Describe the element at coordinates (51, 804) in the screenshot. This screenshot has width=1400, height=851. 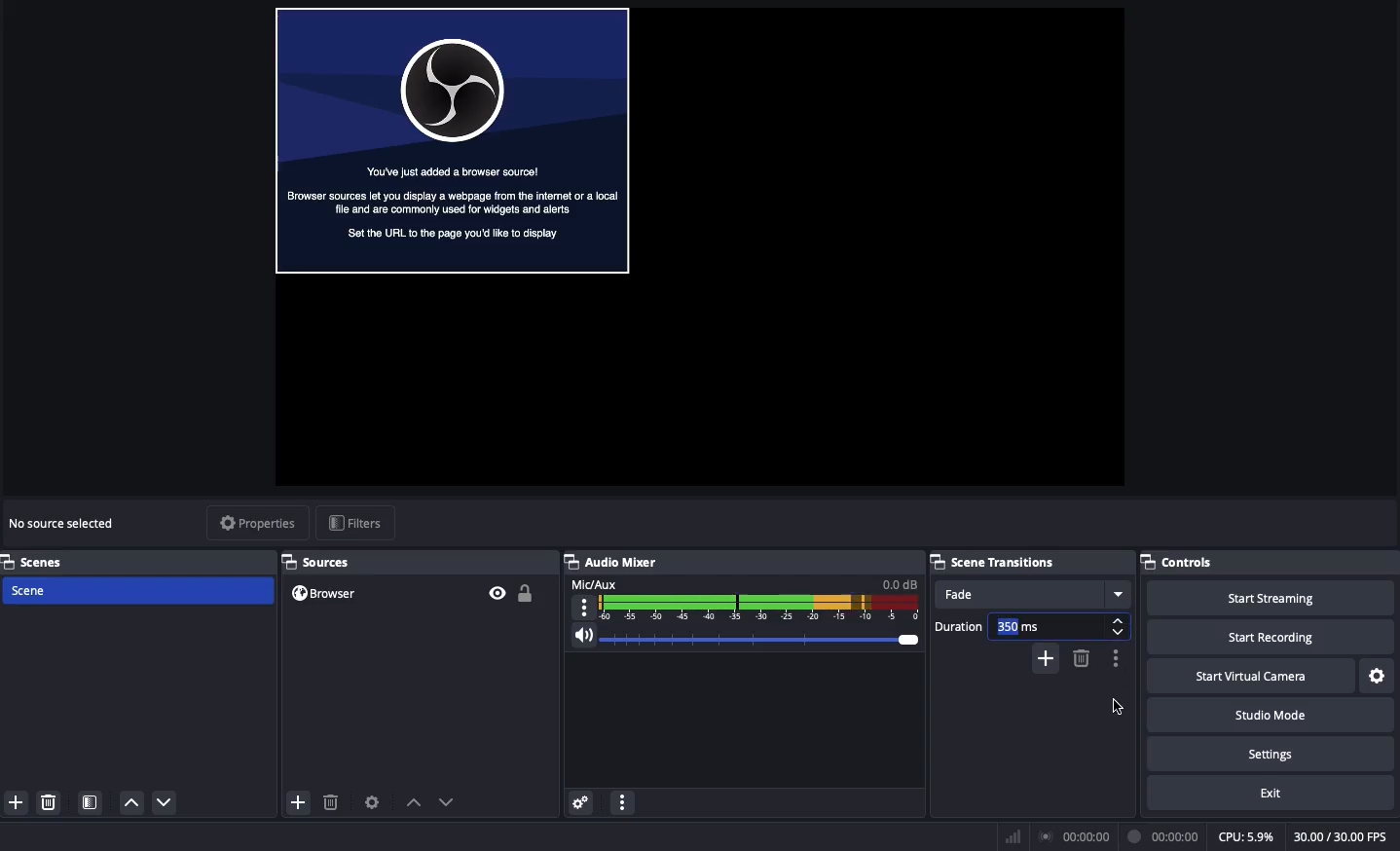
I see `Remove` at that location.